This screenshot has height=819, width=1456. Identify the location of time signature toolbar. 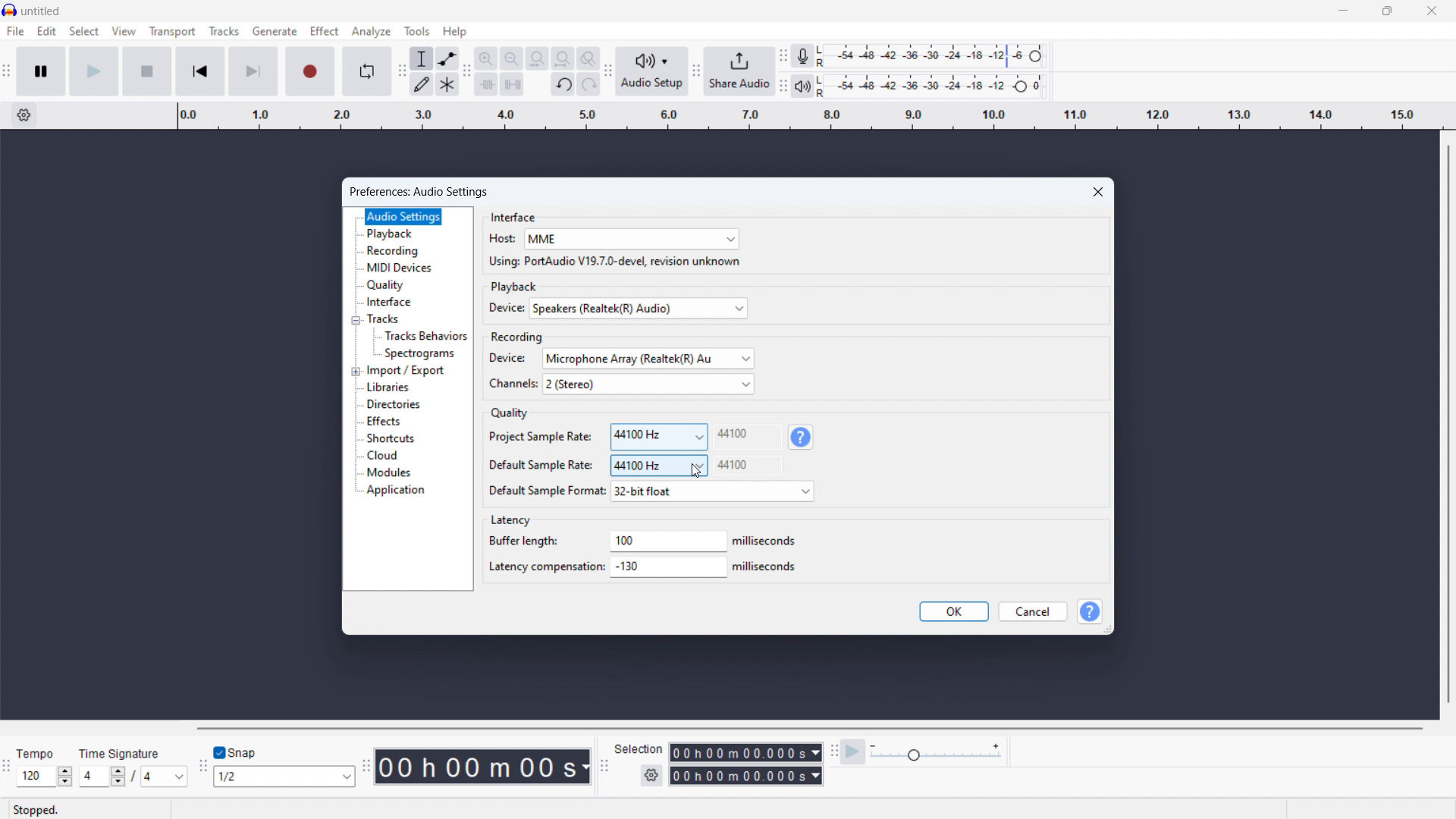
(8, 767).